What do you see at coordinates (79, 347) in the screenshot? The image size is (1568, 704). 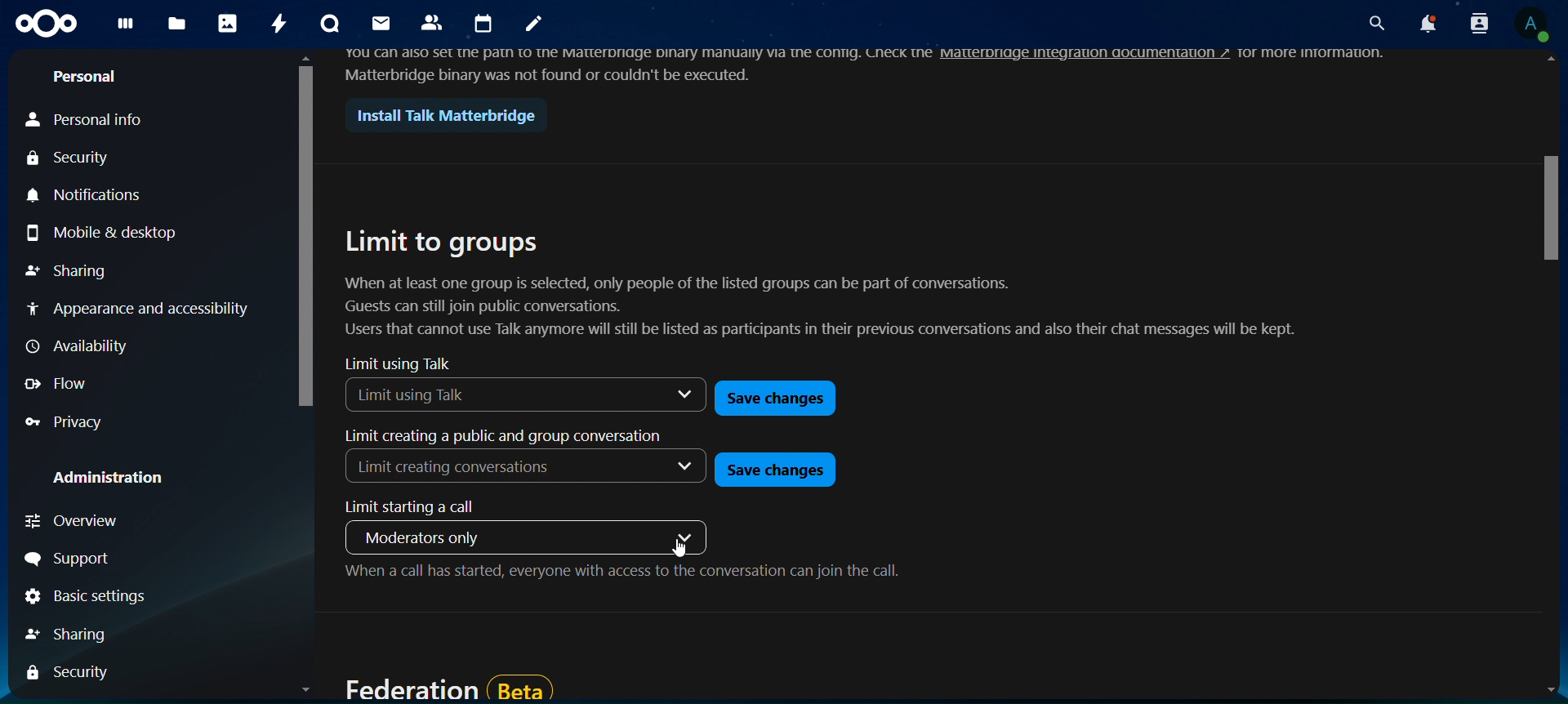 I see `availability` at bounding box center [79, 347].